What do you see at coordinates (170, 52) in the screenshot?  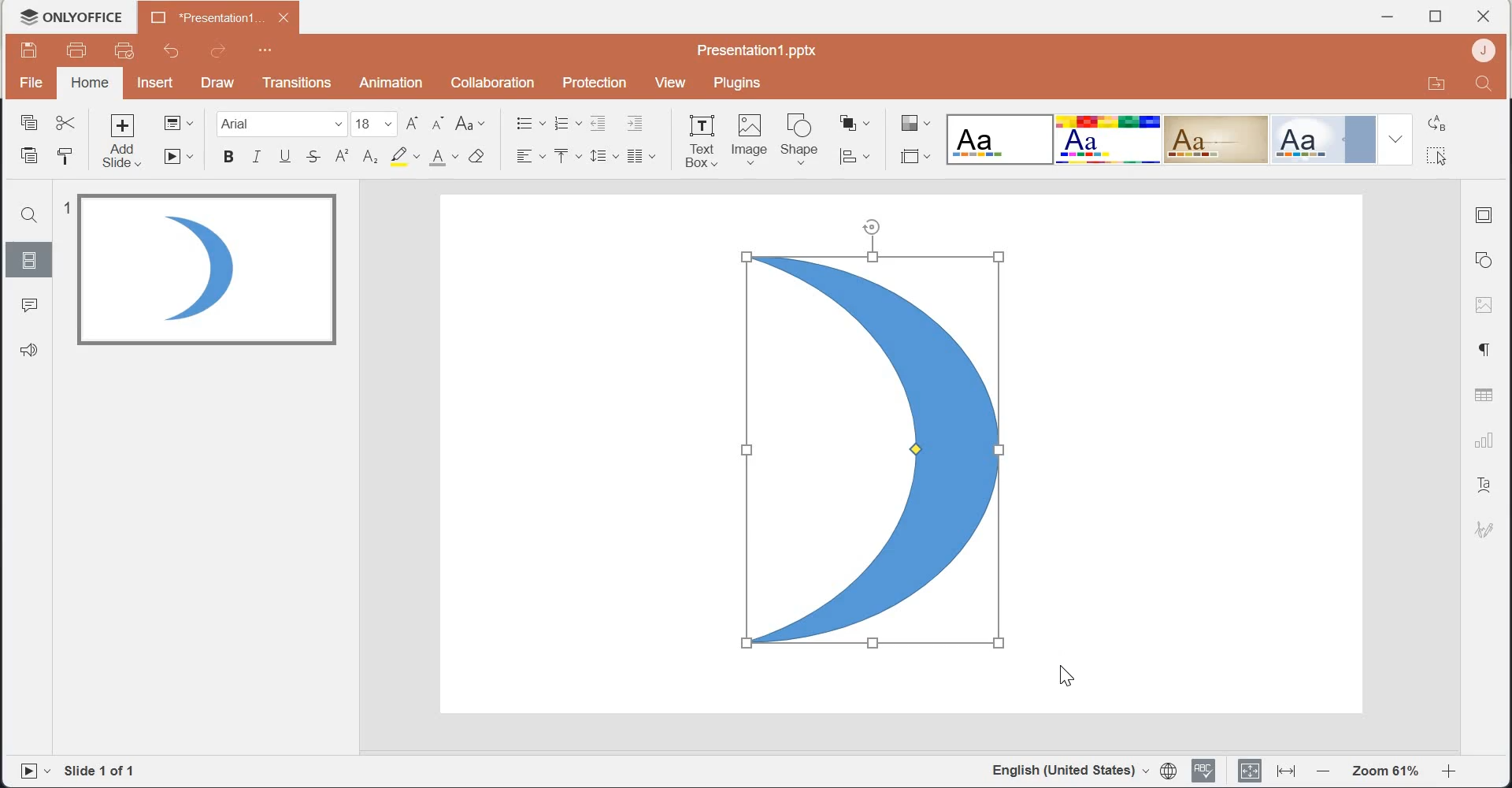 I see `Undo` at bounding box center [170, 52].